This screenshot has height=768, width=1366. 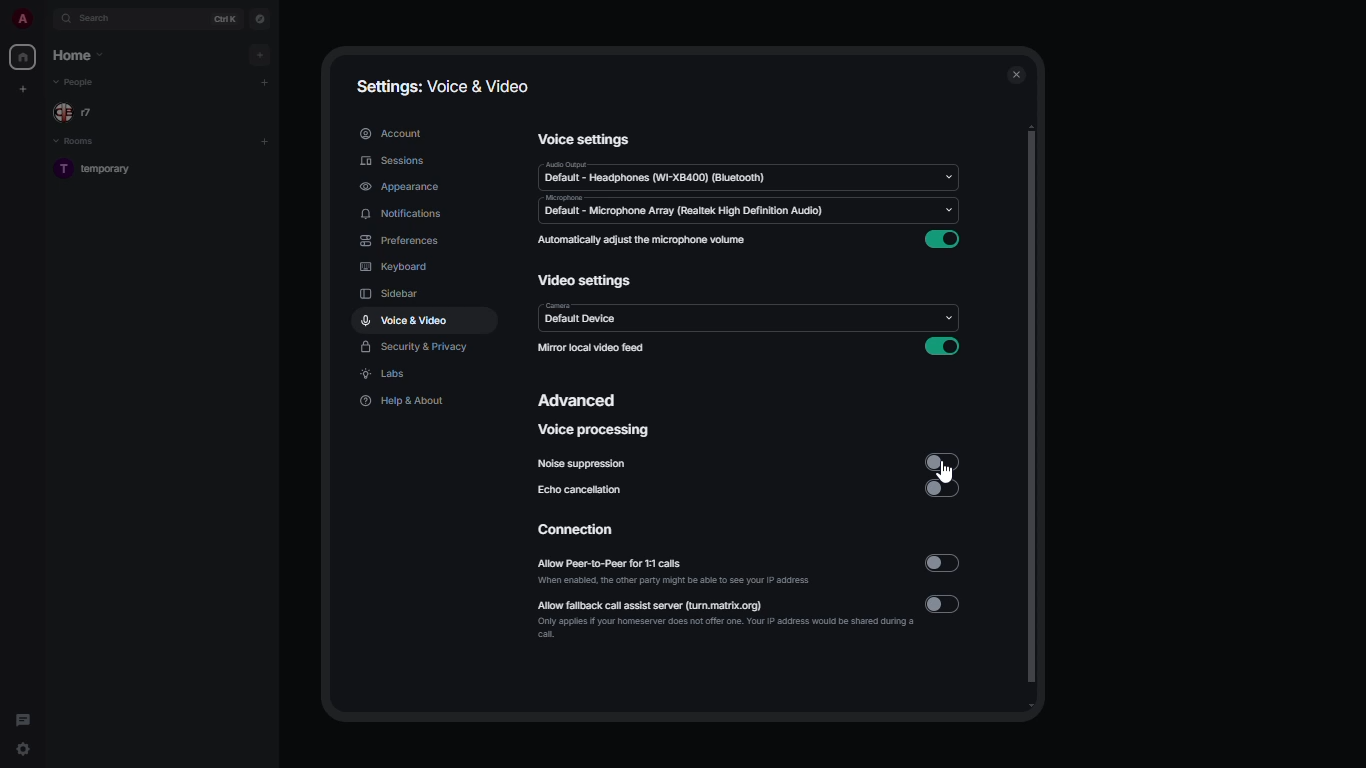 I want to click on sidebar, so click(x=391, y=296).